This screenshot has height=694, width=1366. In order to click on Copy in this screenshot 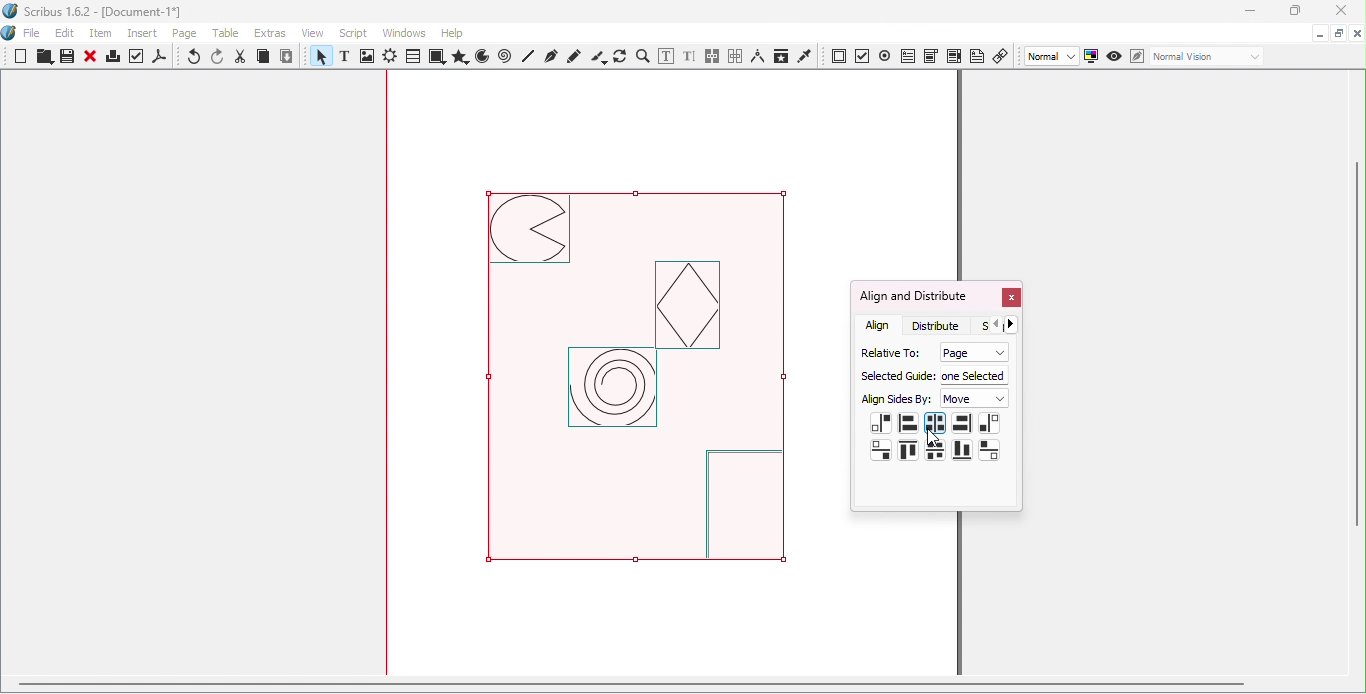, I will do `click(263, 58)`.